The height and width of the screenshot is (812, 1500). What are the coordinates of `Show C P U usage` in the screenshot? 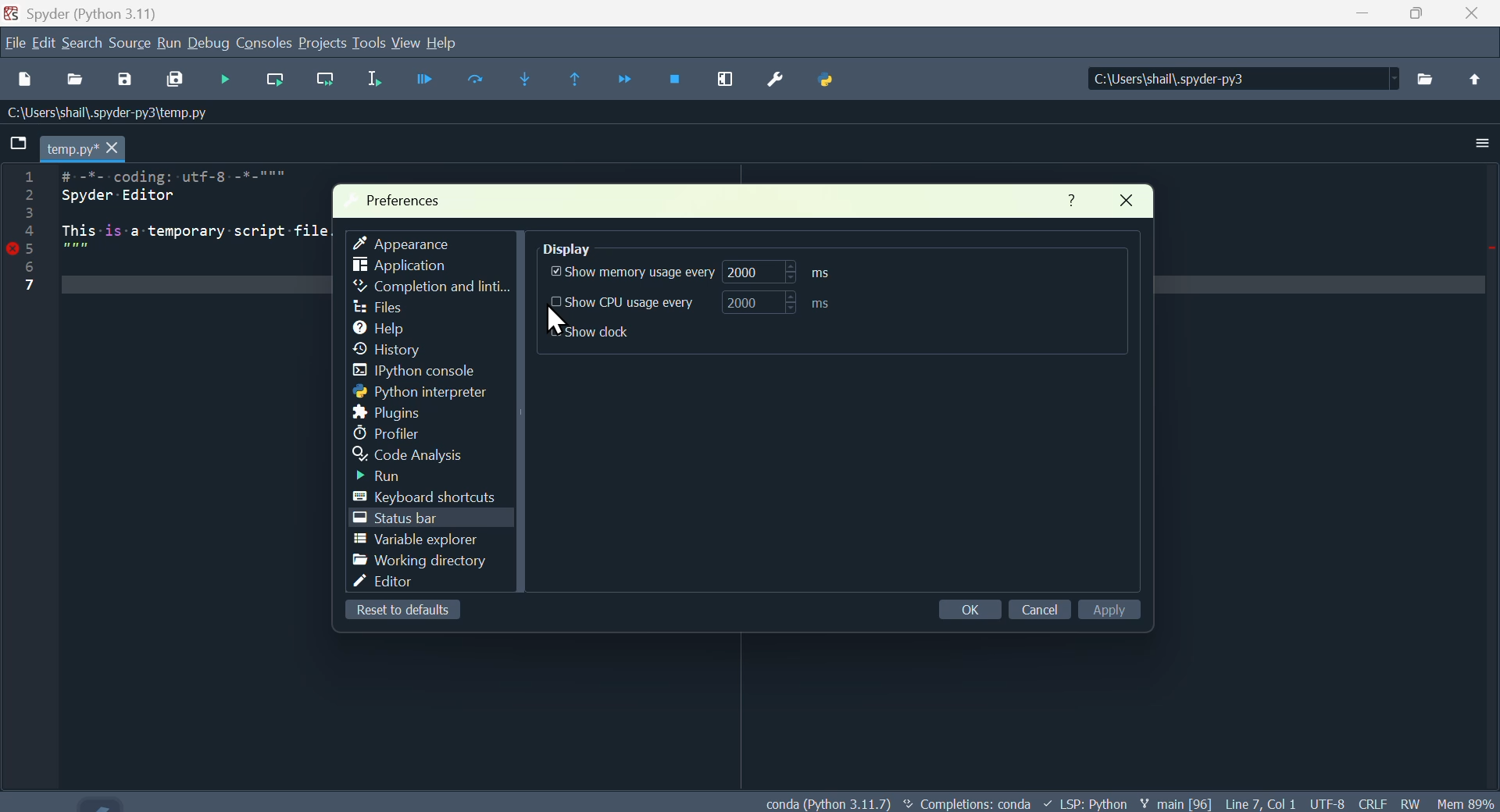 It's located at (709, 303).